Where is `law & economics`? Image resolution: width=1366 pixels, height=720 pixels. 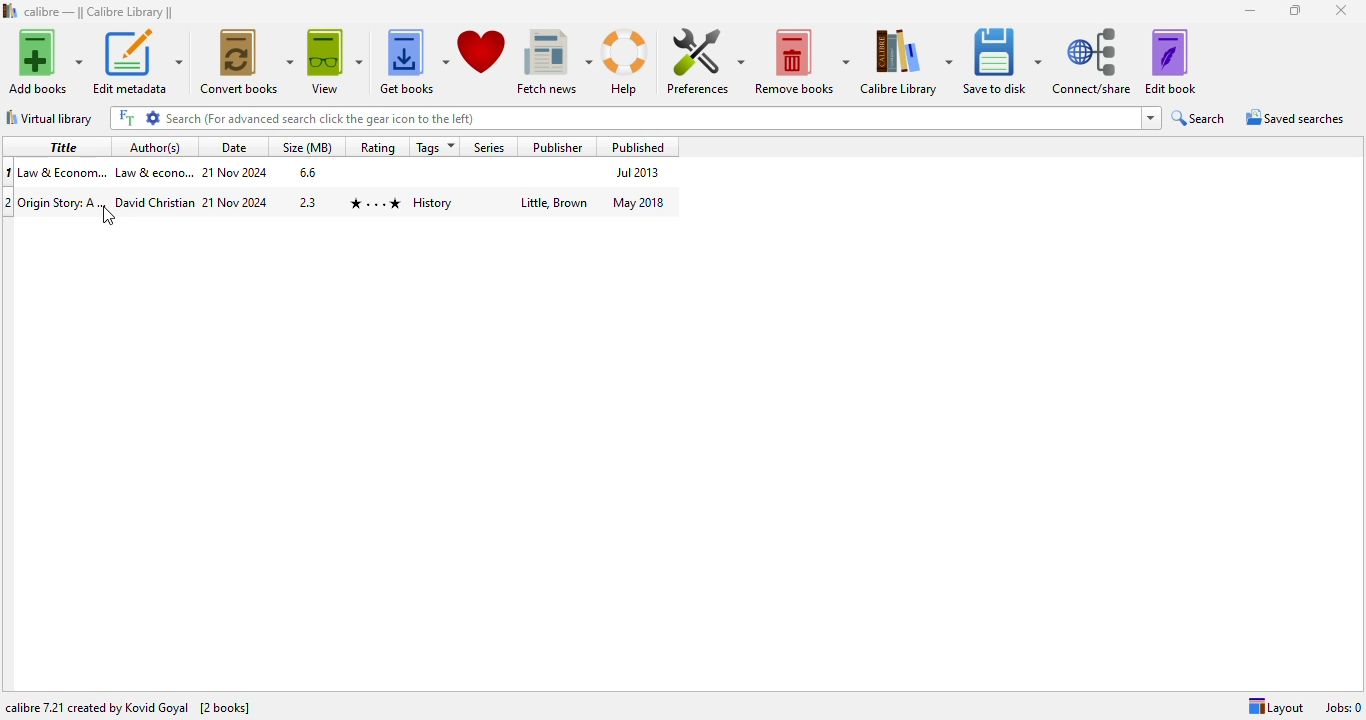
law & economics is located at coordinates (62, 171).